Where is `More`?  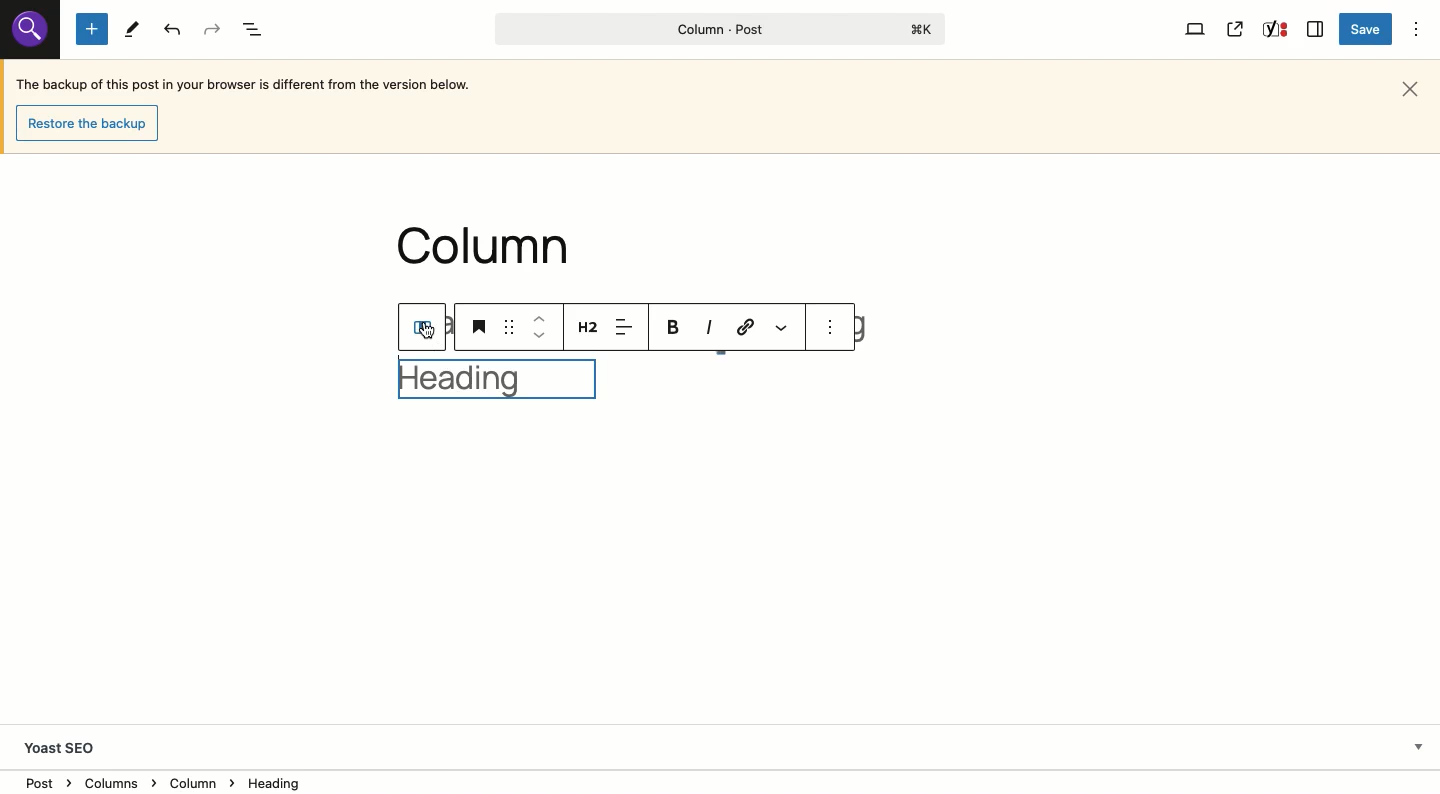
More is located at coordinates (782, 327).